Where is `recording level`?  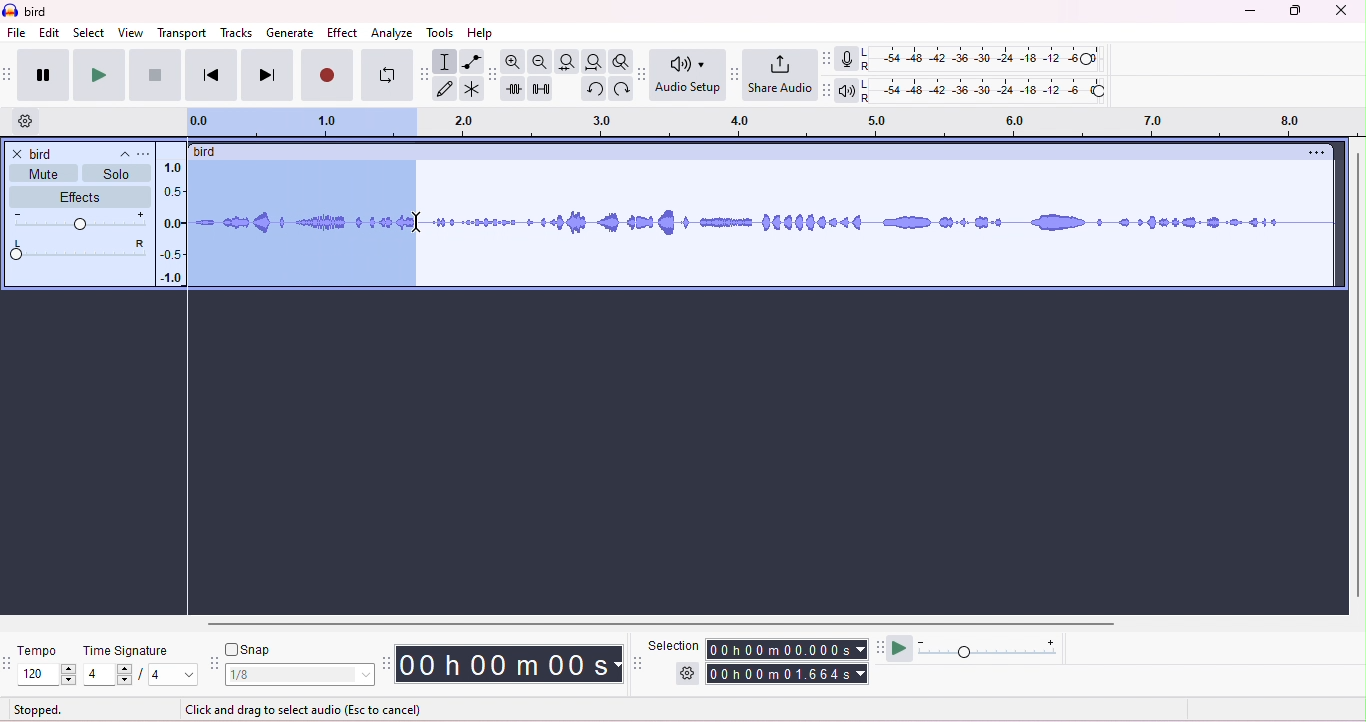 recording level is located at coordinates (997, 59).